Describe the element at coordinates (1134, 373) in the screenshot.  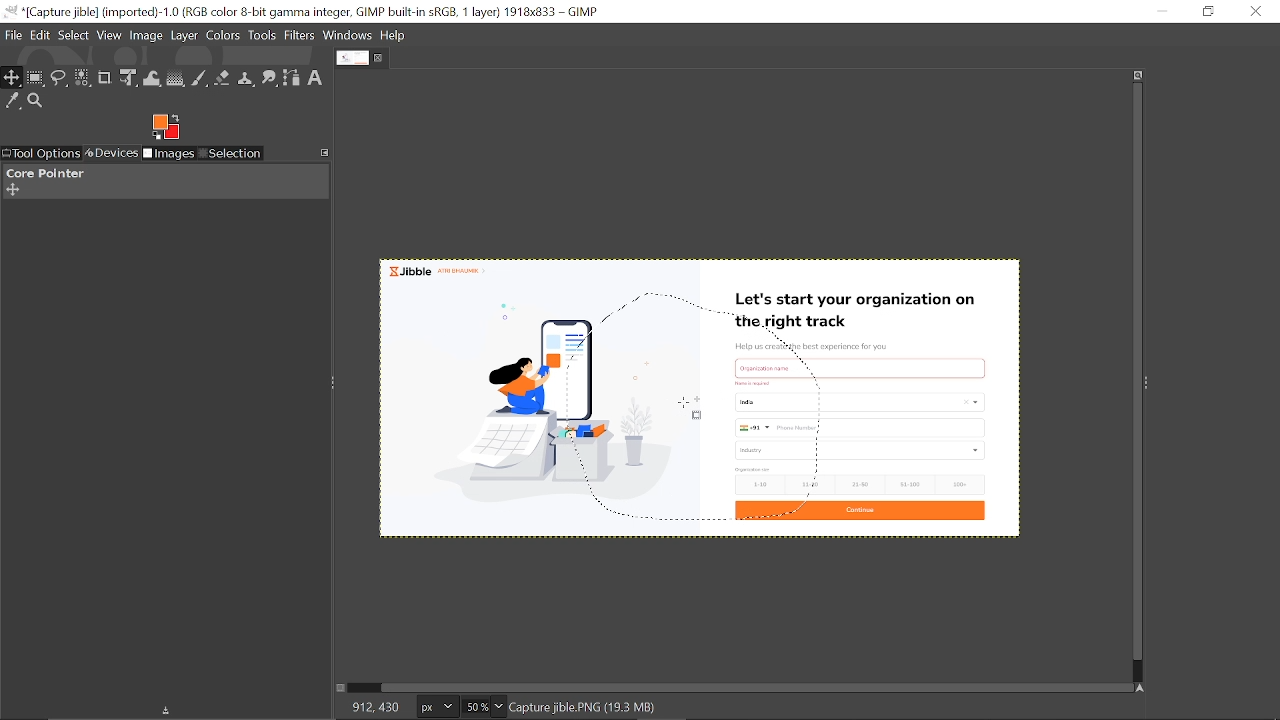
I see `Vertical scrollbar` at that location.